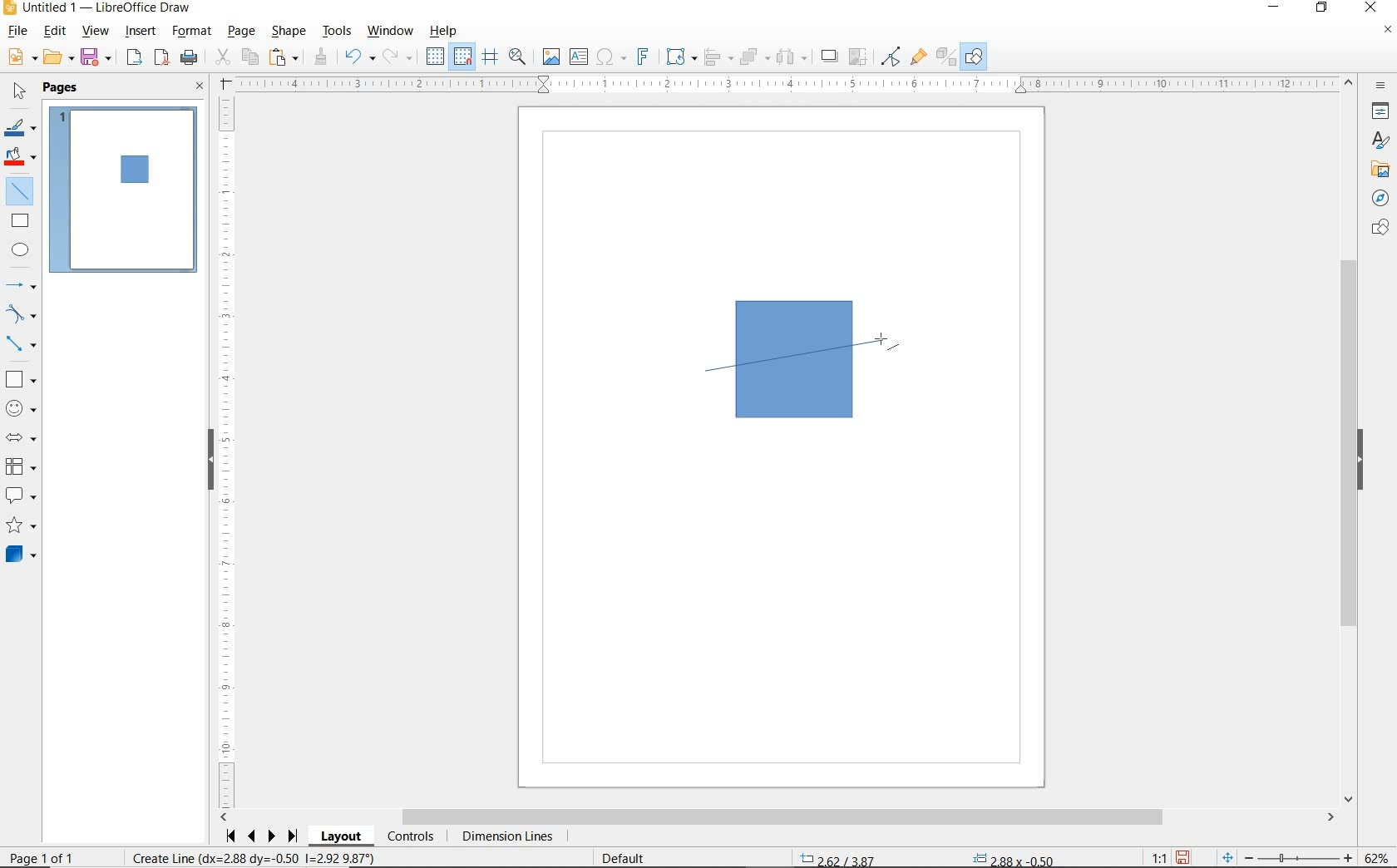  Describe the element at coordinates (22, 249) in the screenshot. I see `ELLIPSE` at that location.